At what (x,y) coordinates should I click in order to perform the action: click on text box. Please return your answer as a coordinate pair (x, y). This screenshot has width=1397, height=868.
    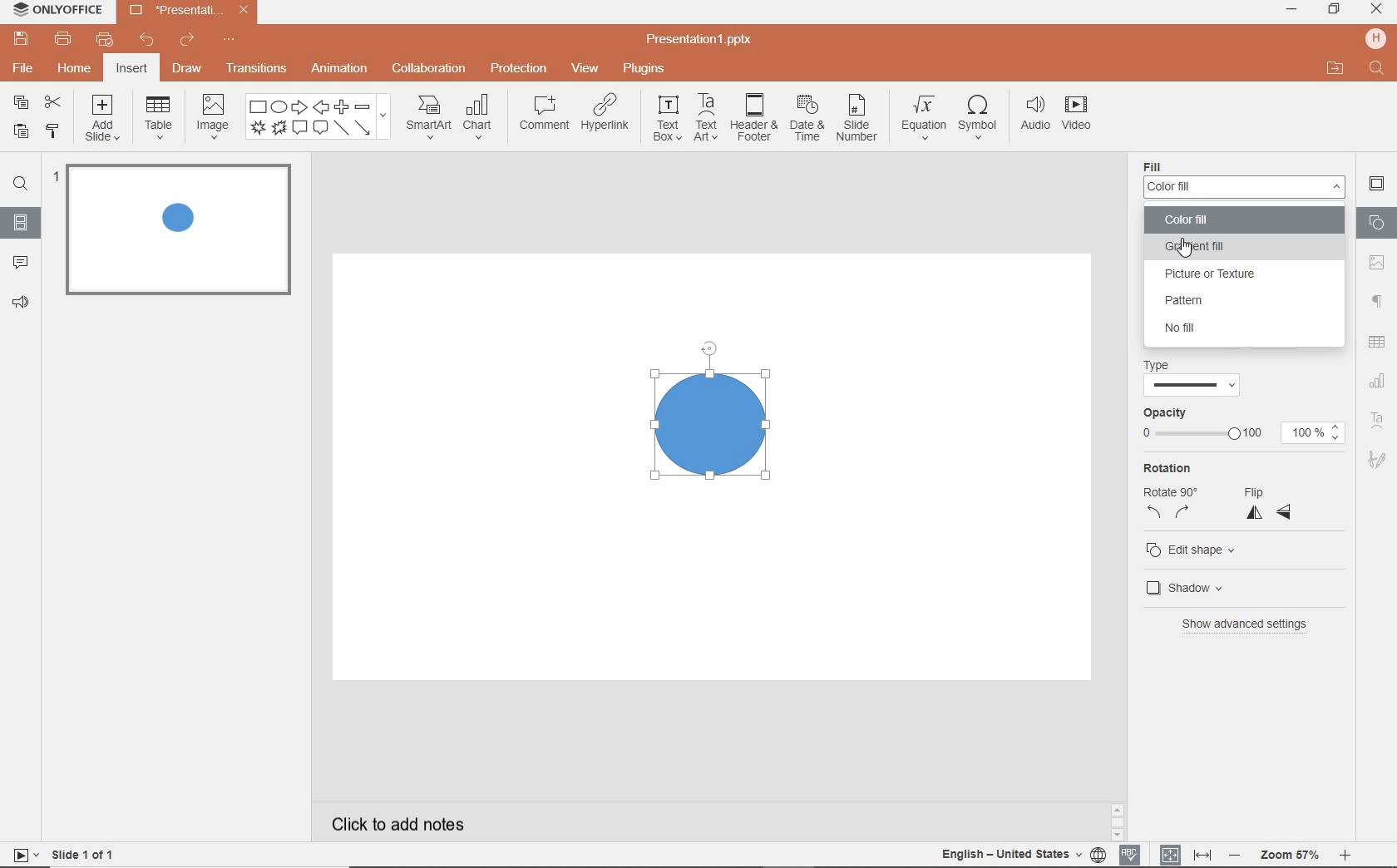
    Looking at the image, I should click on (667, 118).